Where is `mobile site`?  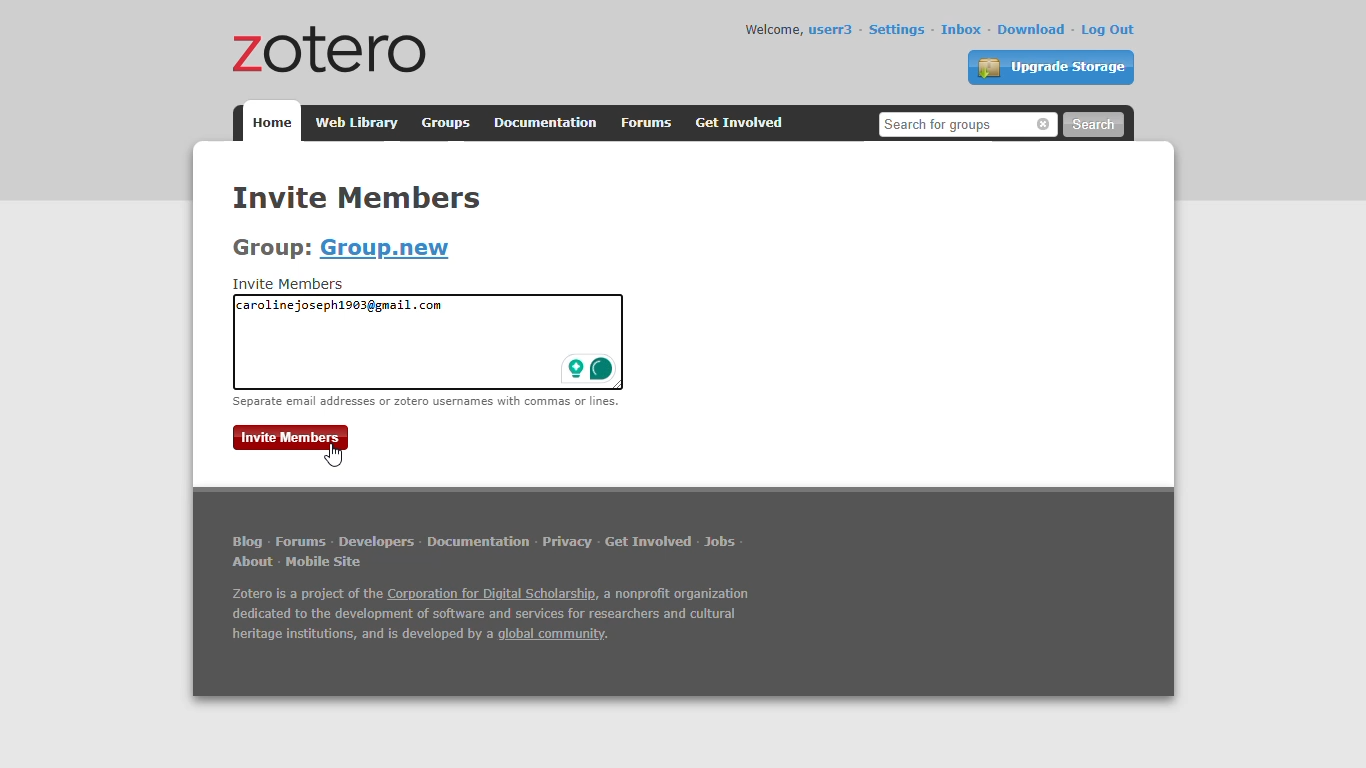
mobile site is located at coordinates (326, 562).